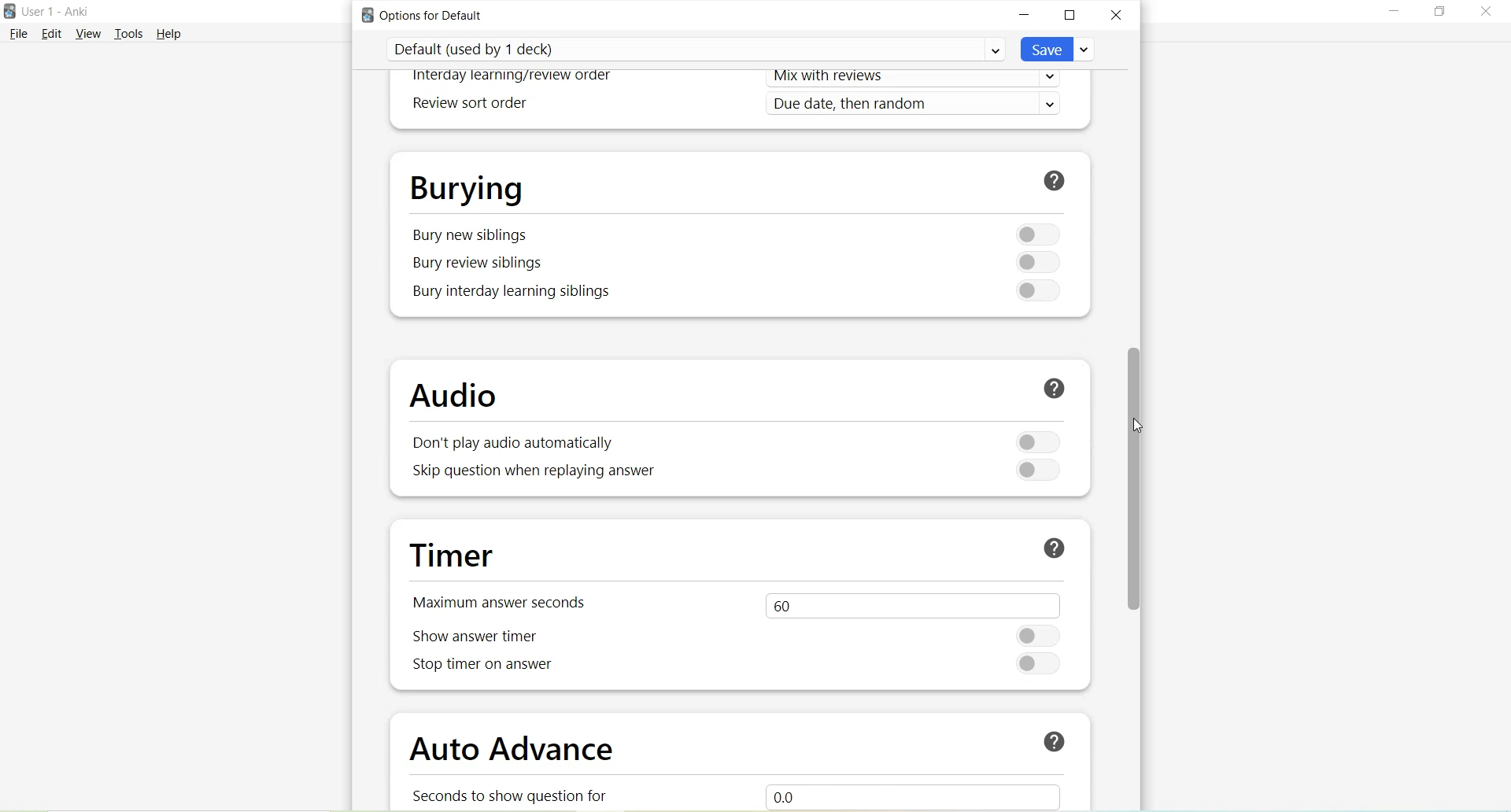 The width and height of the screenshot is (1511, 812). I want to click on Save, so click(1058, 49).